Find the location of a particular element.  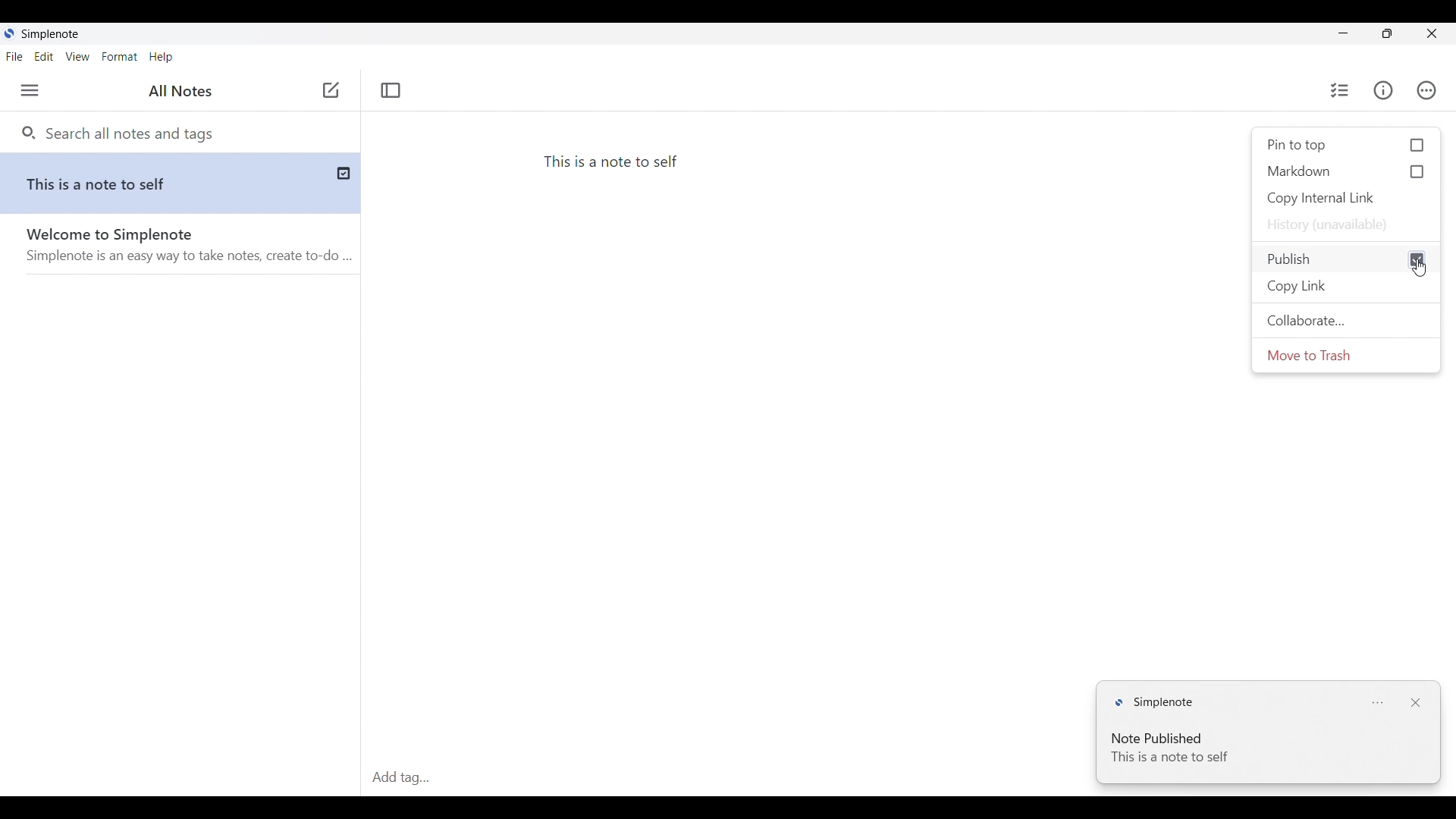

Resize is located at coordinates (1387, 33).